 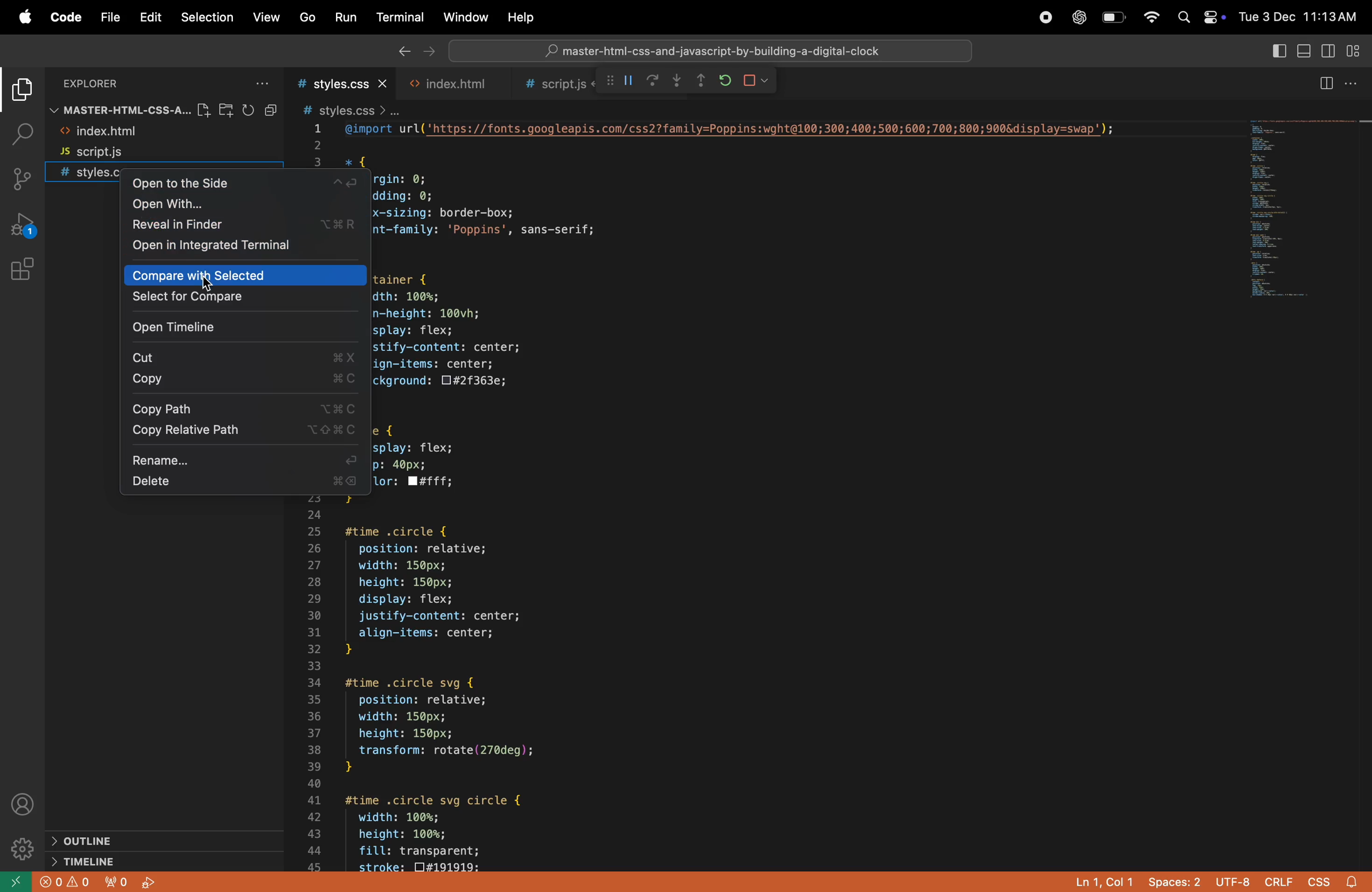 What do you see at coordinates (265, 17) in the screenshot?
I see `view` at bounding box center [265, 17].